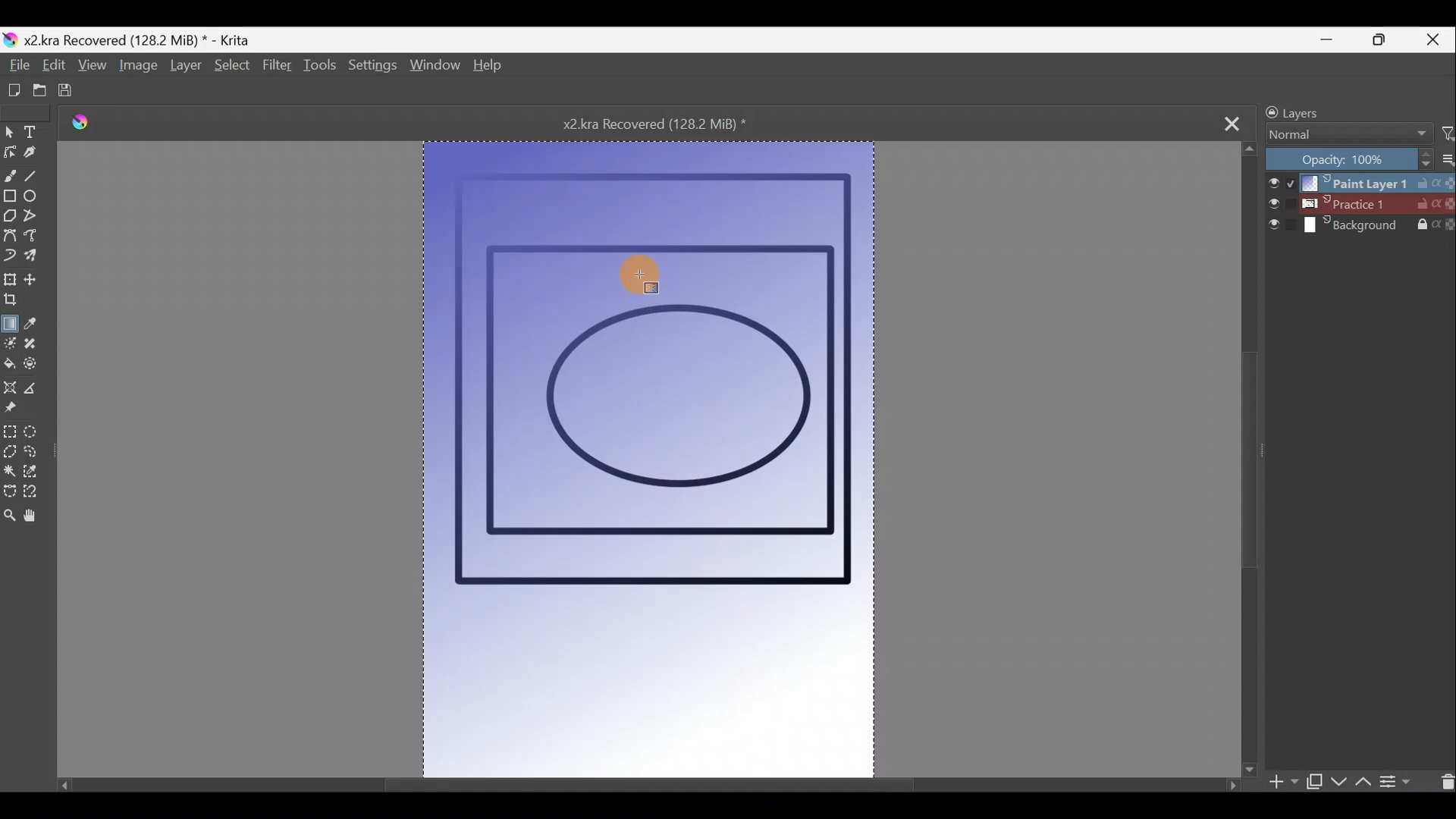 This screenshot has height=819, width=1456. What do you see at coordinates (1334, 39) in the screenshot?
I see `Minimise` at bounding box center [1334, 39].